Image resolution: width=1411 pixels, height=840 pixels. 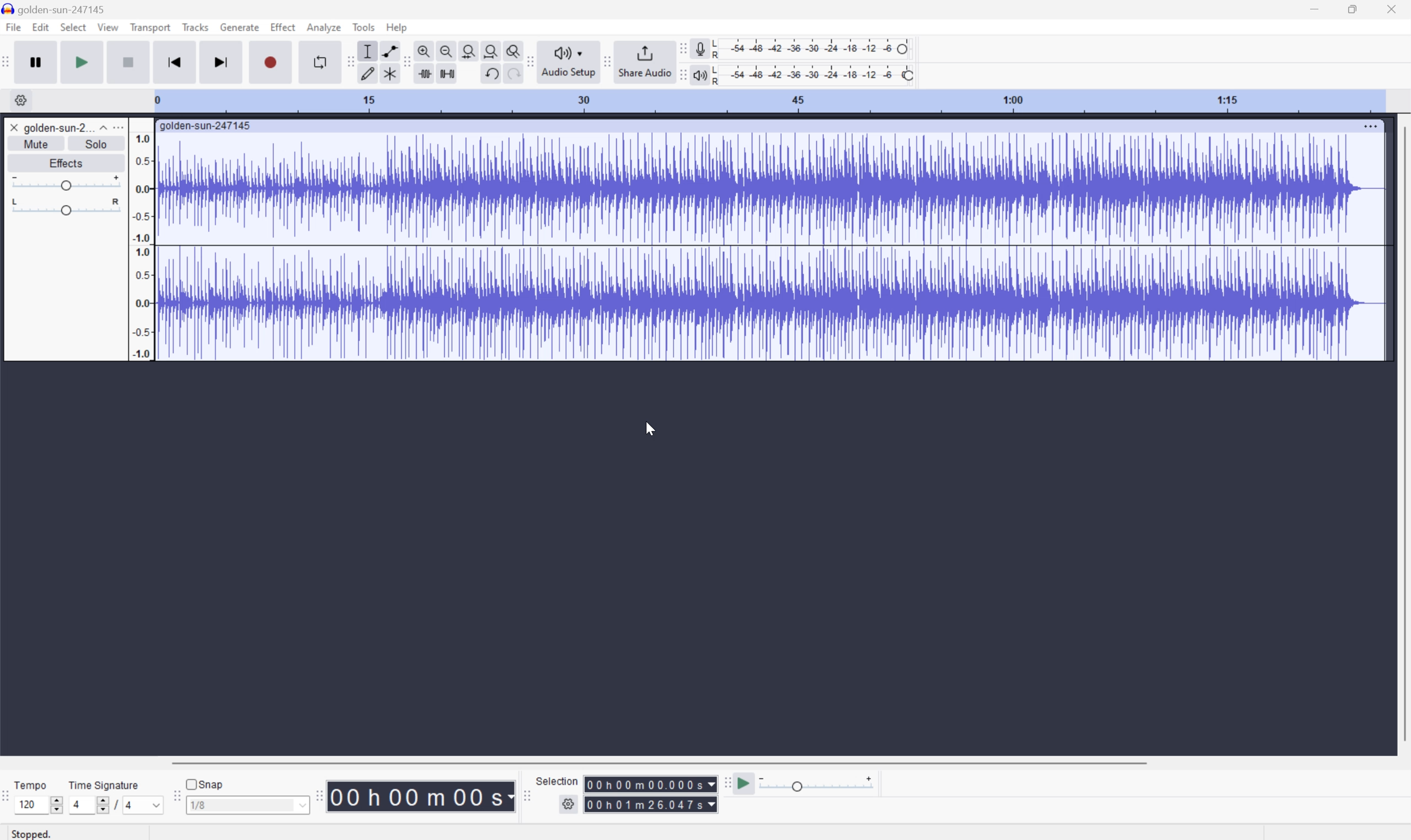 I want to click on More, so click(x=117, y=127).